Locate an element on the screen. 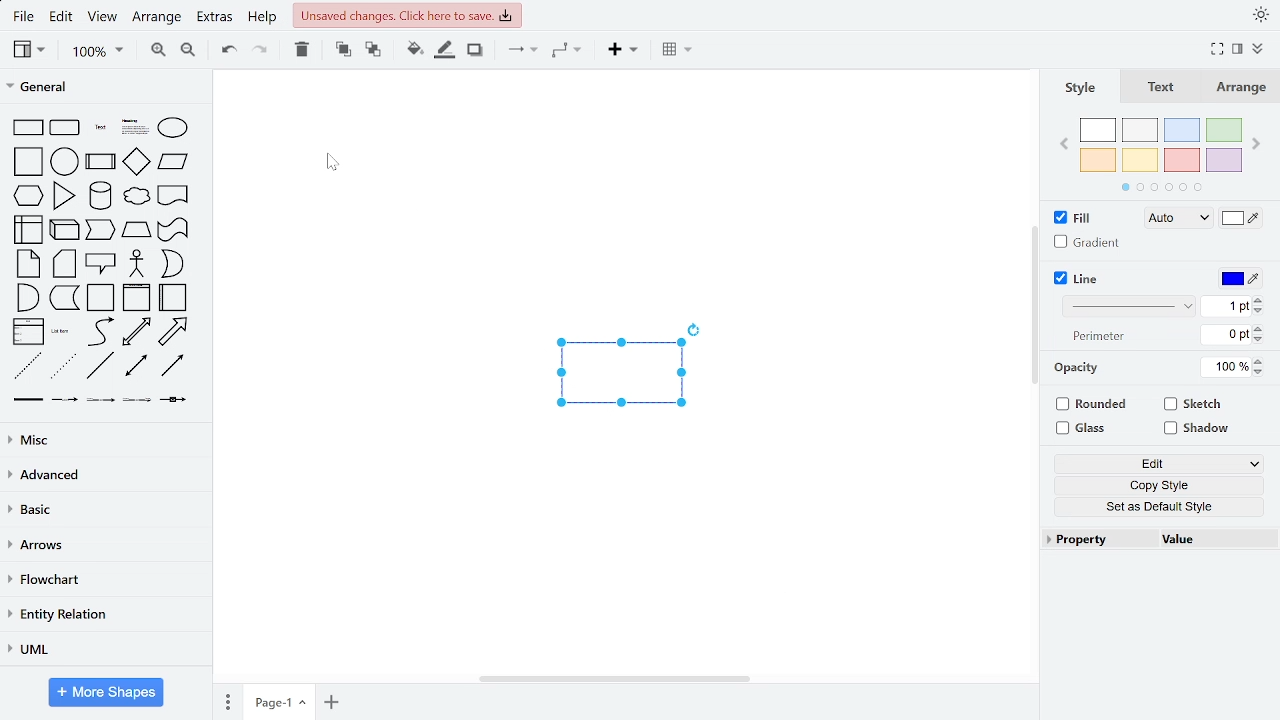 This screenshot has height=720, width=1280. apearence is located at coordinates (1261, 15).